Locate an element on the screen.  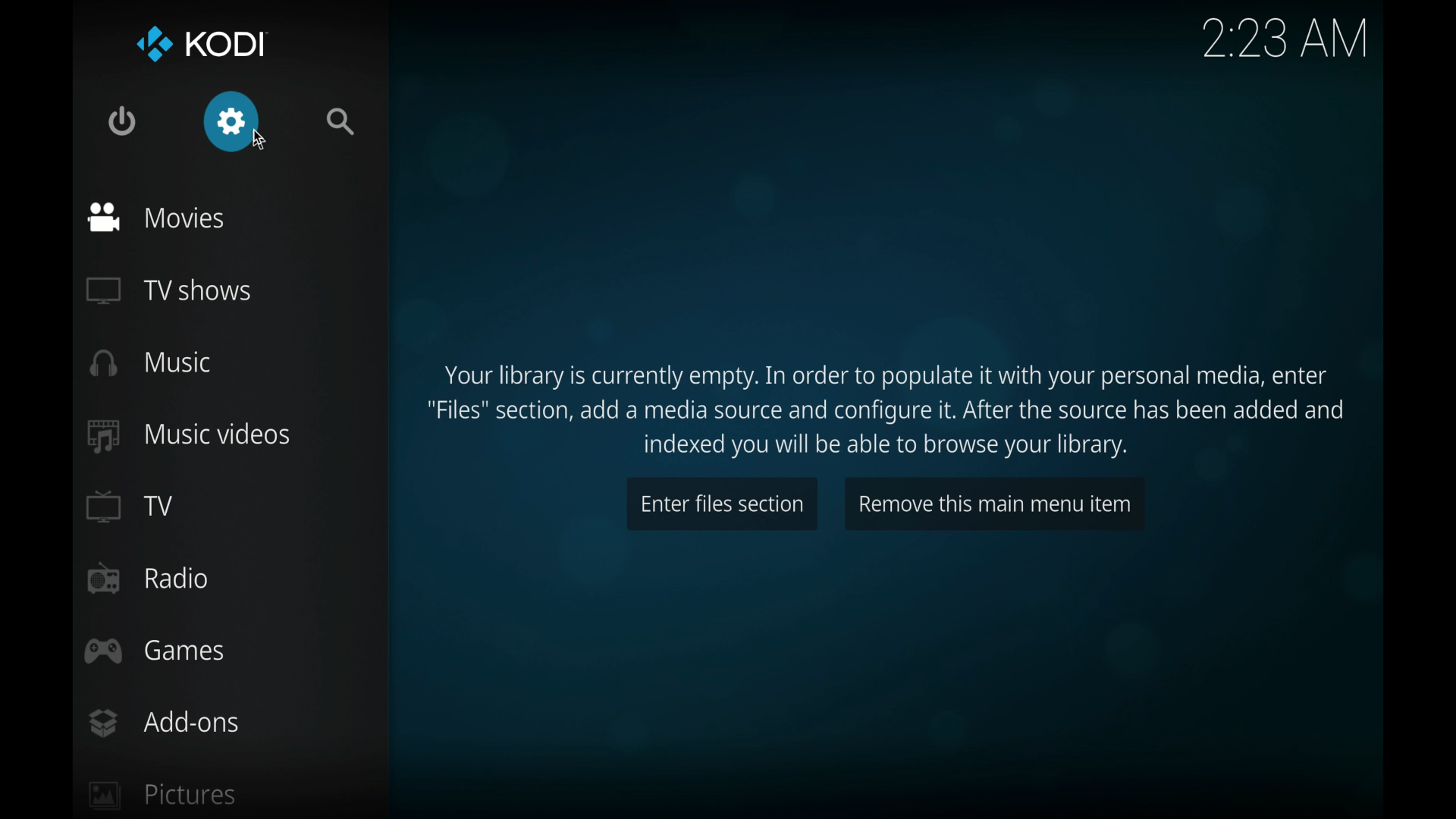
tv shows is located at coordinates (167, 291).